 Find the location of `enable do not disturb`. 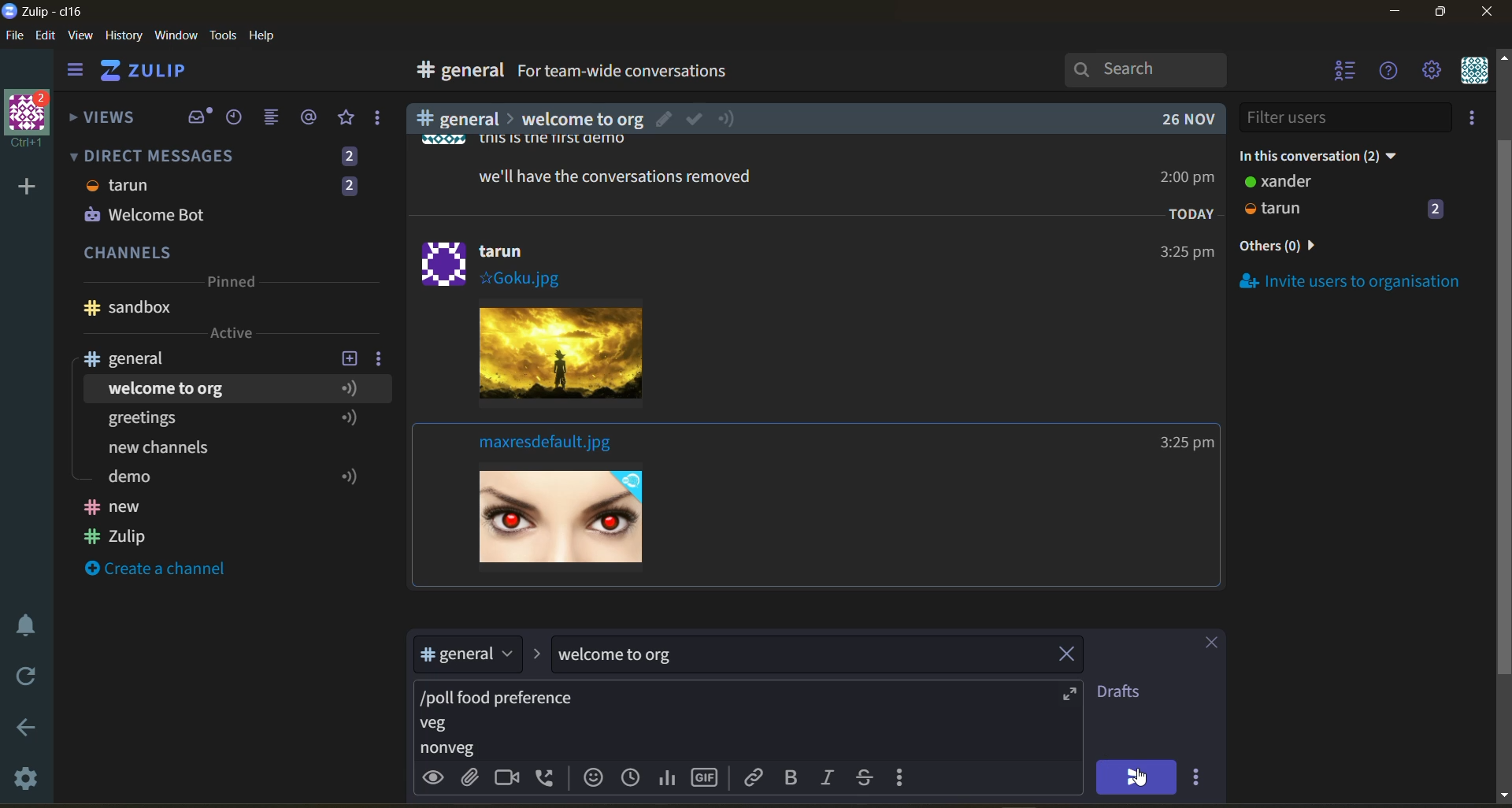

enable do not disturb is located at coordinates (22, 623).